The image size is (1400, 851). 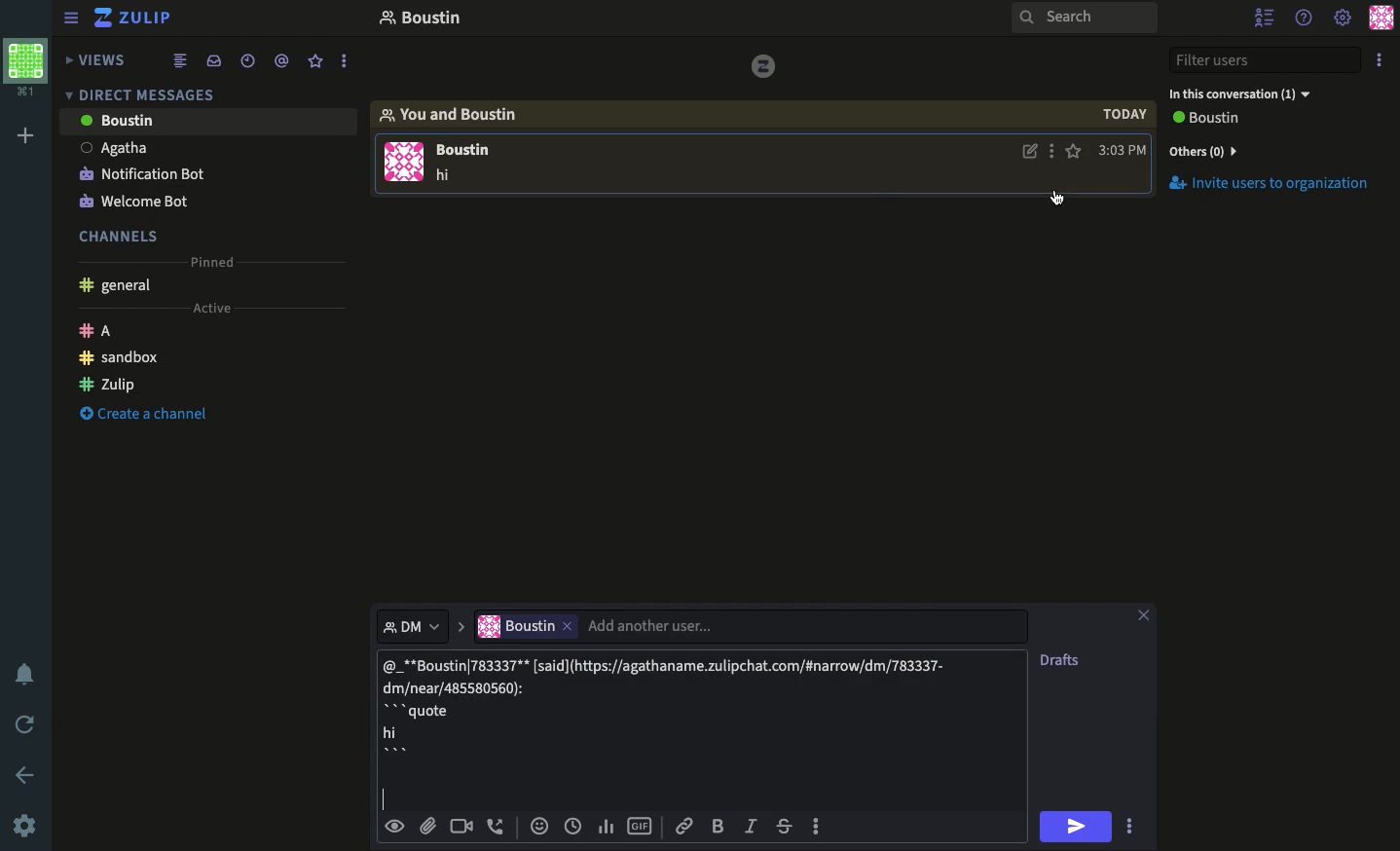 What do you see at coordinates (133, 18) in the screenshot?
I see `Zulip` at bounding box center [133, 18].